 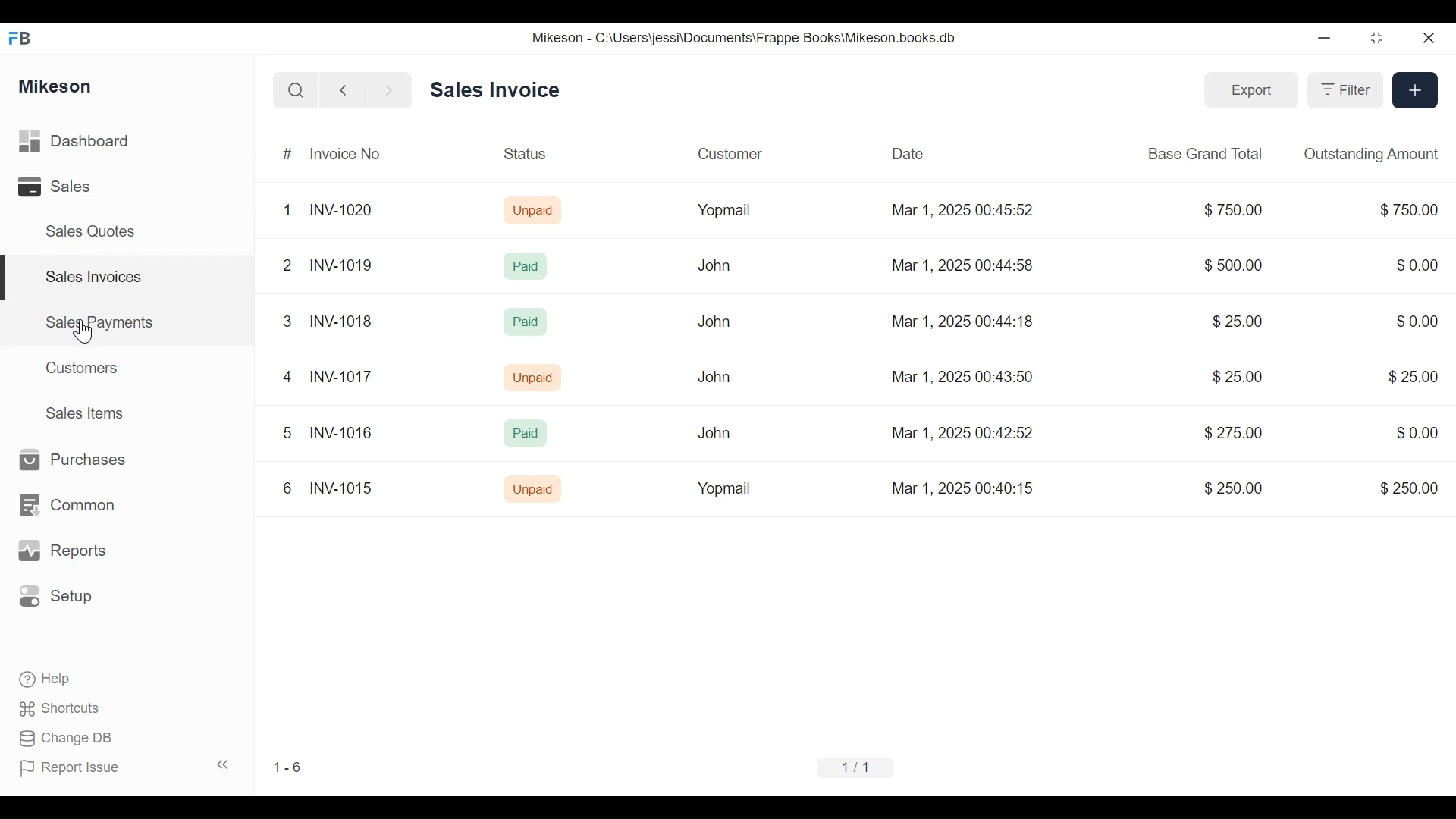 What do you see at coordinates (283, 155) in the screenshot?
I see `Hashtag ` at bounding box center [283, 155].